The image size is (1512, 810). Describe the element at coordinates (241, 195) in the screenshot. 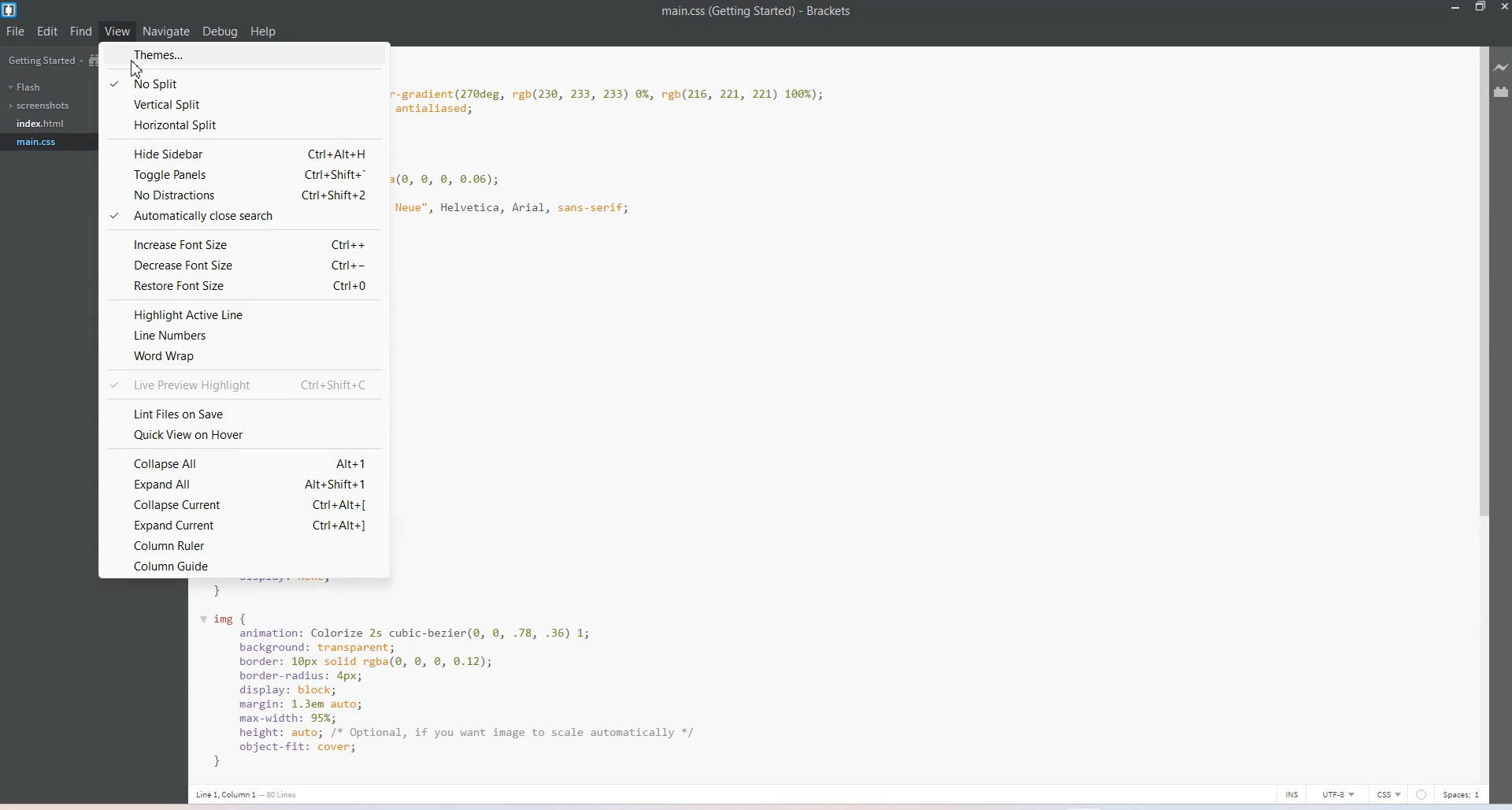

I see `No Distractions` at that location.